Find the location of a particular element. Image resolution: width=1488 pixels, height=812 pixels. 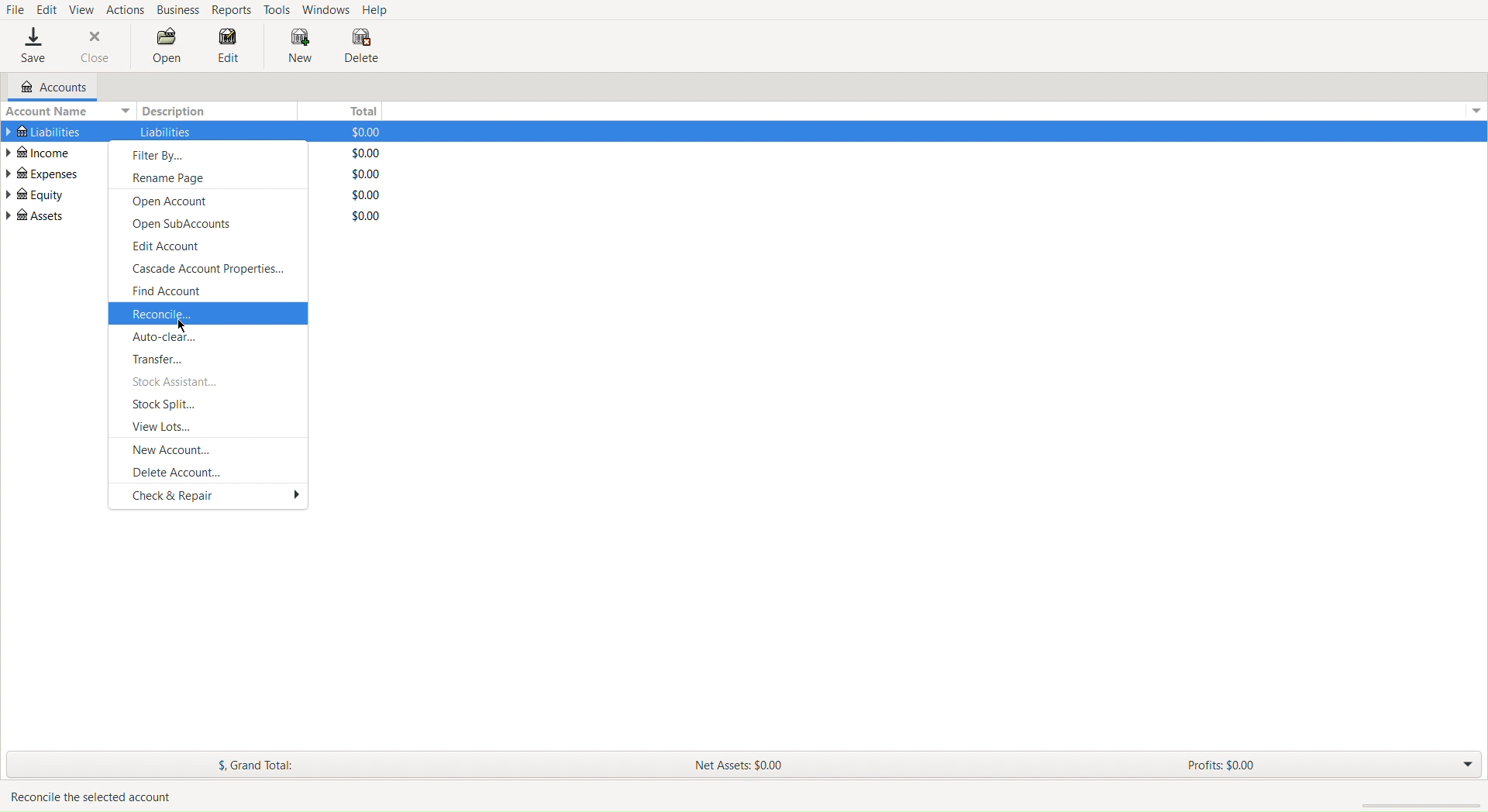

Accounts is located at coordinates (47, 88).